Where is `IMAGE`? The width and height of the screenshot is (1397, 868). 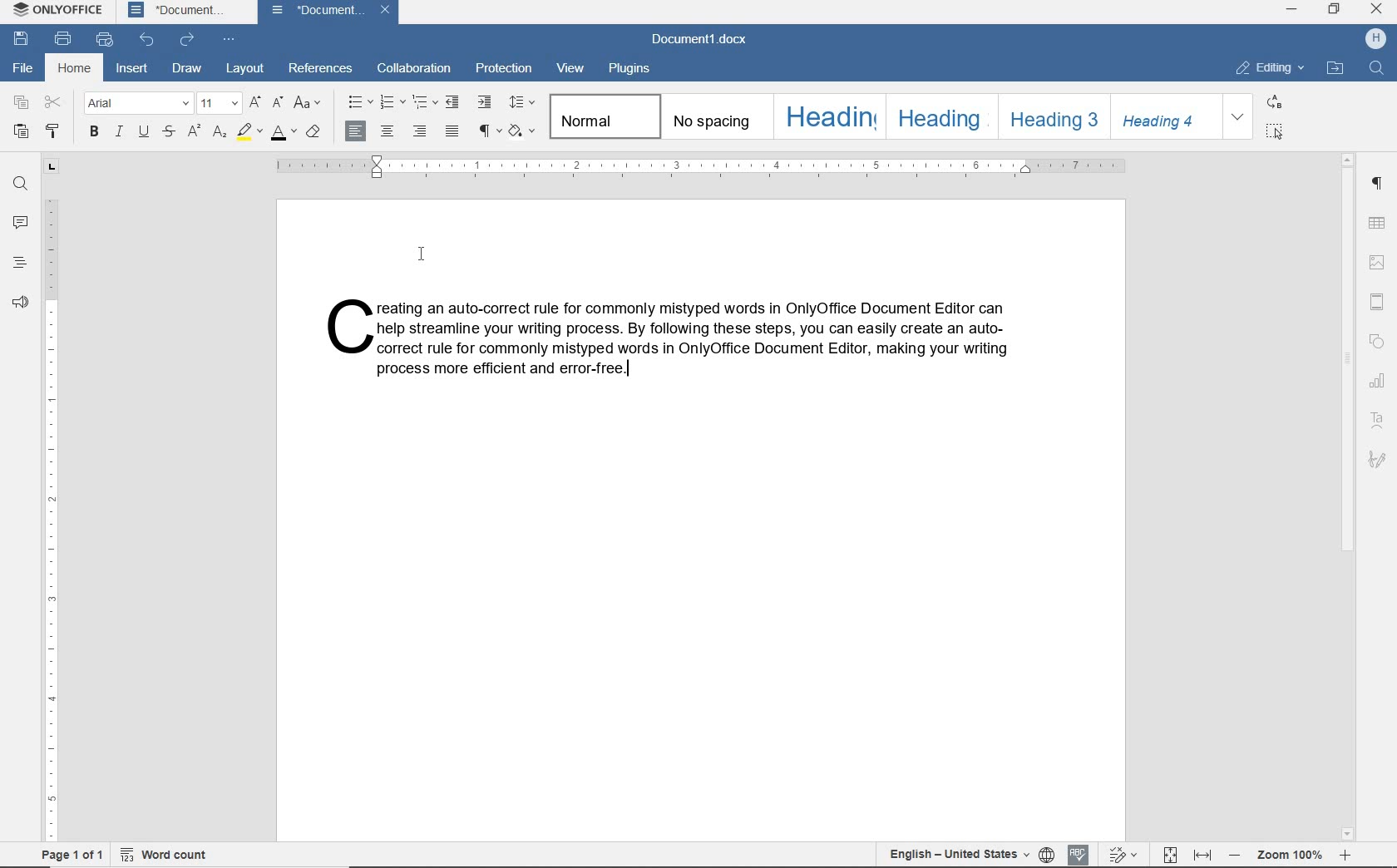
IMAGE is located at coordinates (1376, 263).